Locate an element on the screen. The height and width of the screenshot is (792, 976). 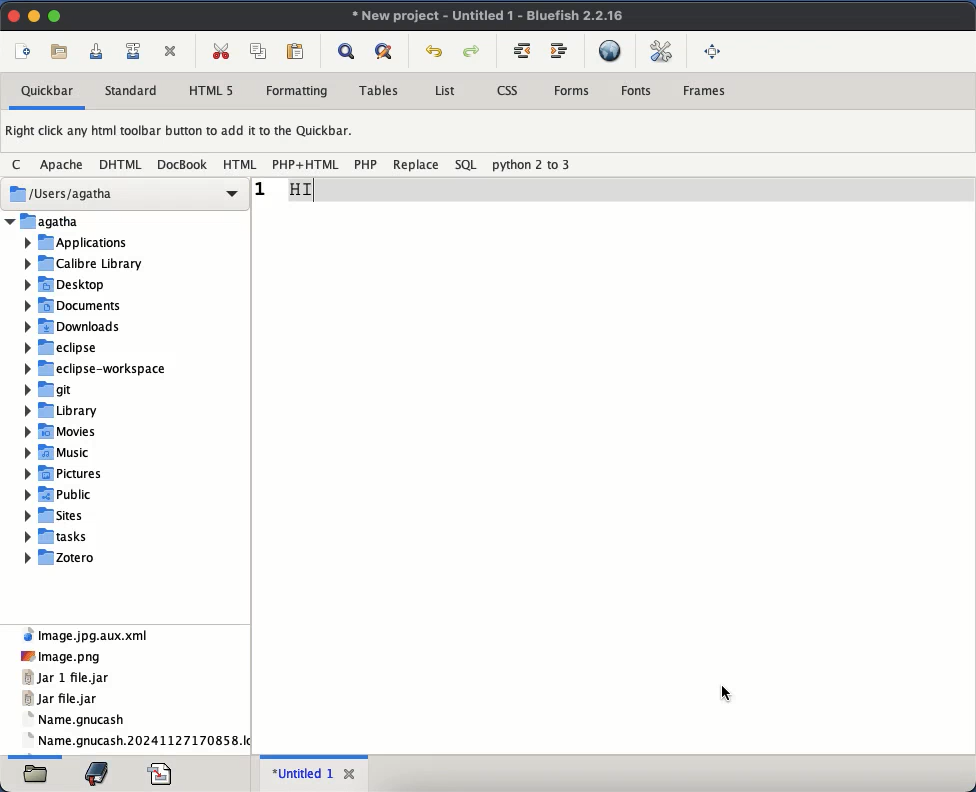
save file as is located at coordinates (135, 49).